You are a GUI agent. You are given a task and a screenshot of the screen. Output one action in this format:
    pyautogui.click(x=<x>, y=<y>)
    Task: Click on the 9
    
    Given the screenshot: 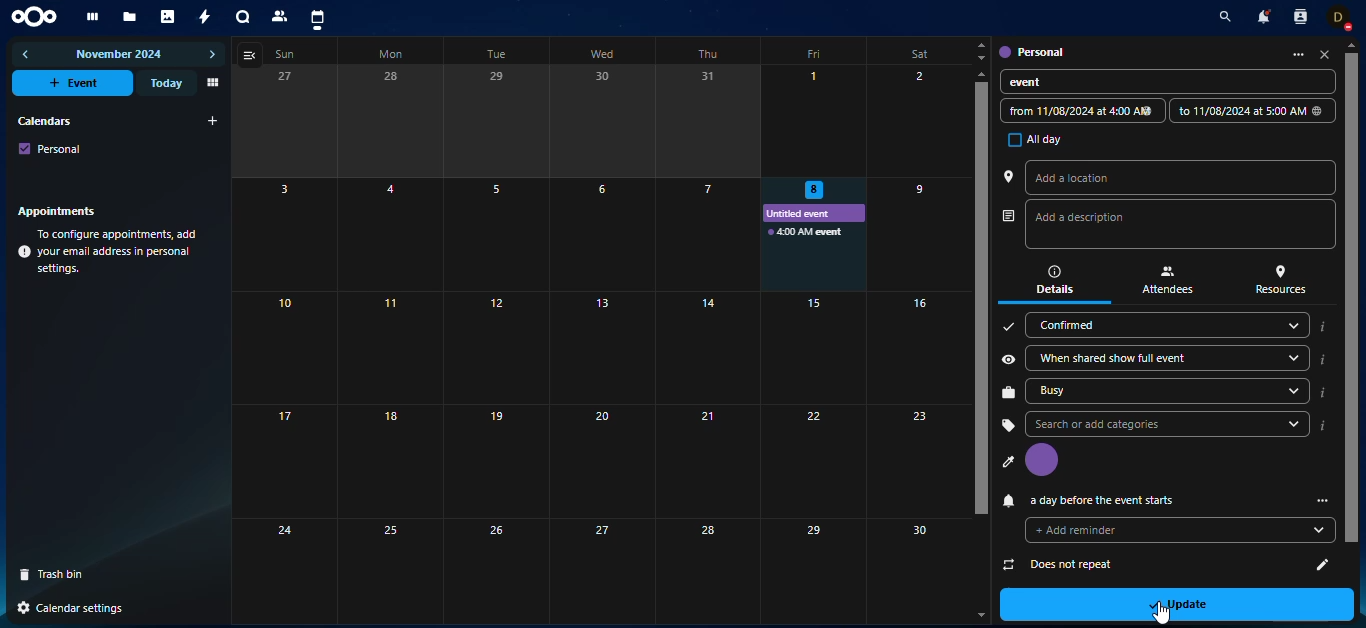 What is the action you would take?
    pyautogui.click(x=915, y=232)
    